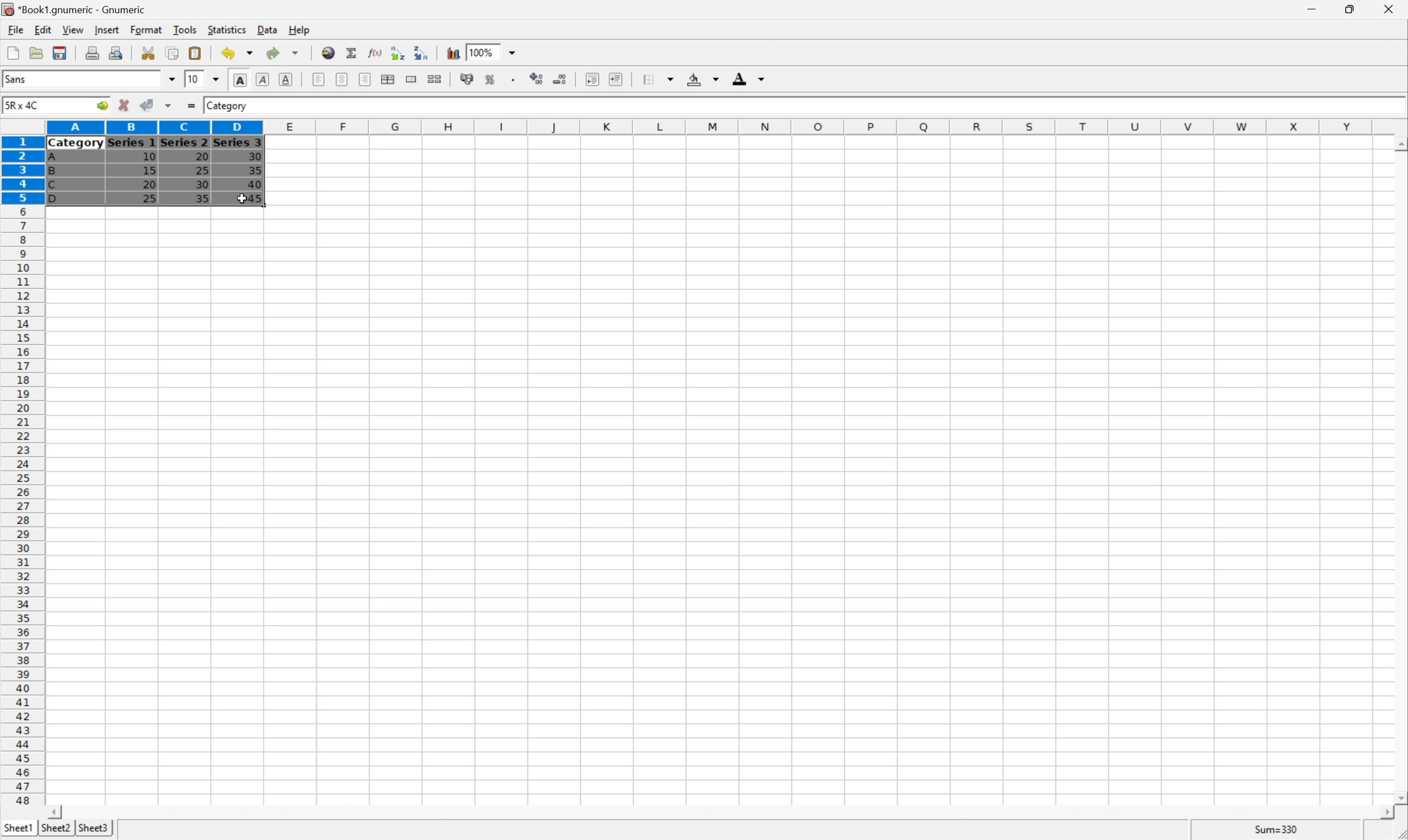 This screenshot has width=1408, height=840. Describe the element at coordinates (24, 107) in the screenshot. I see `5R*4C` at that location.